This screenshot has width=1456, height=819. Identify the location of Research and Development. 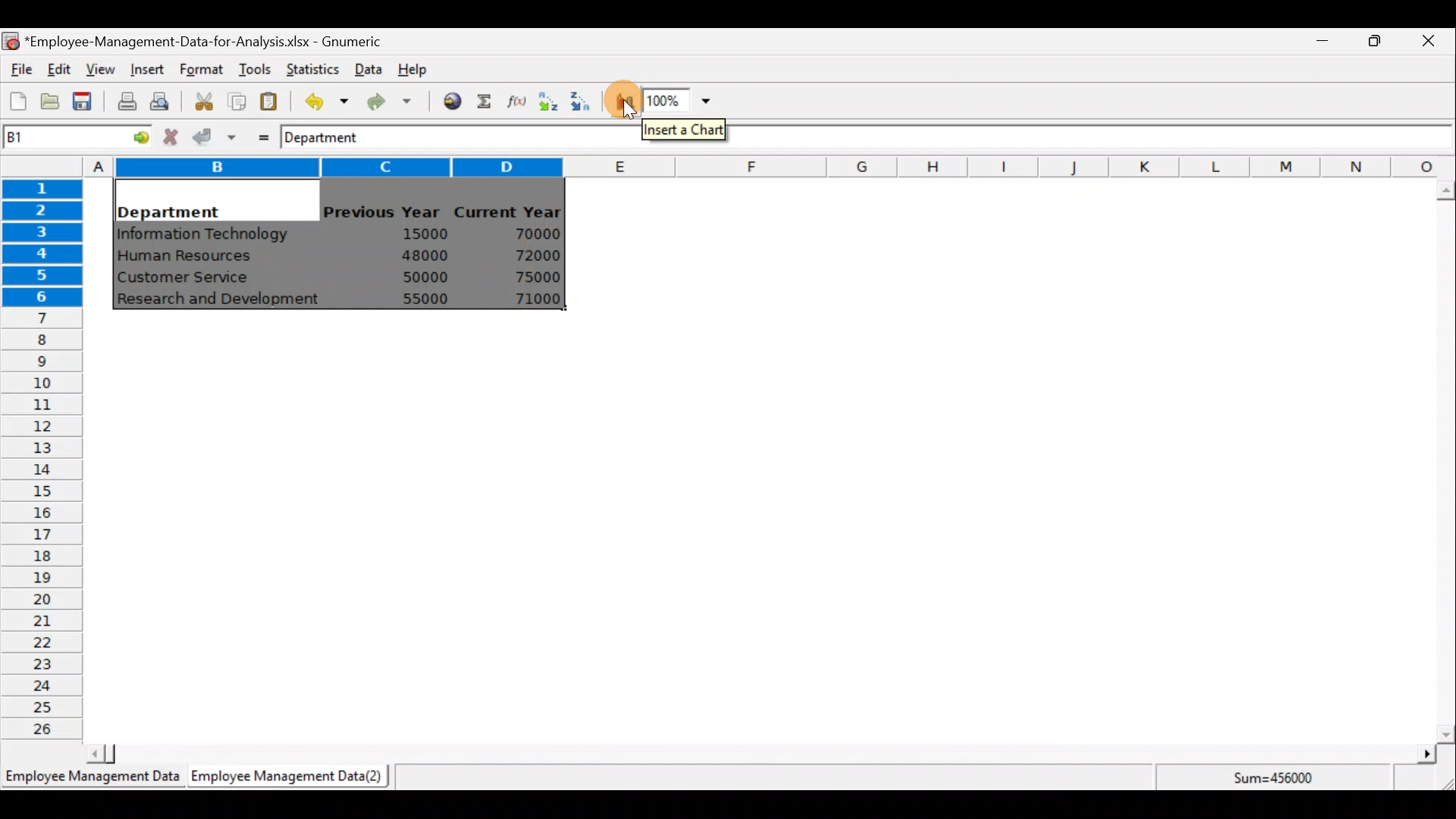
(224, 301).